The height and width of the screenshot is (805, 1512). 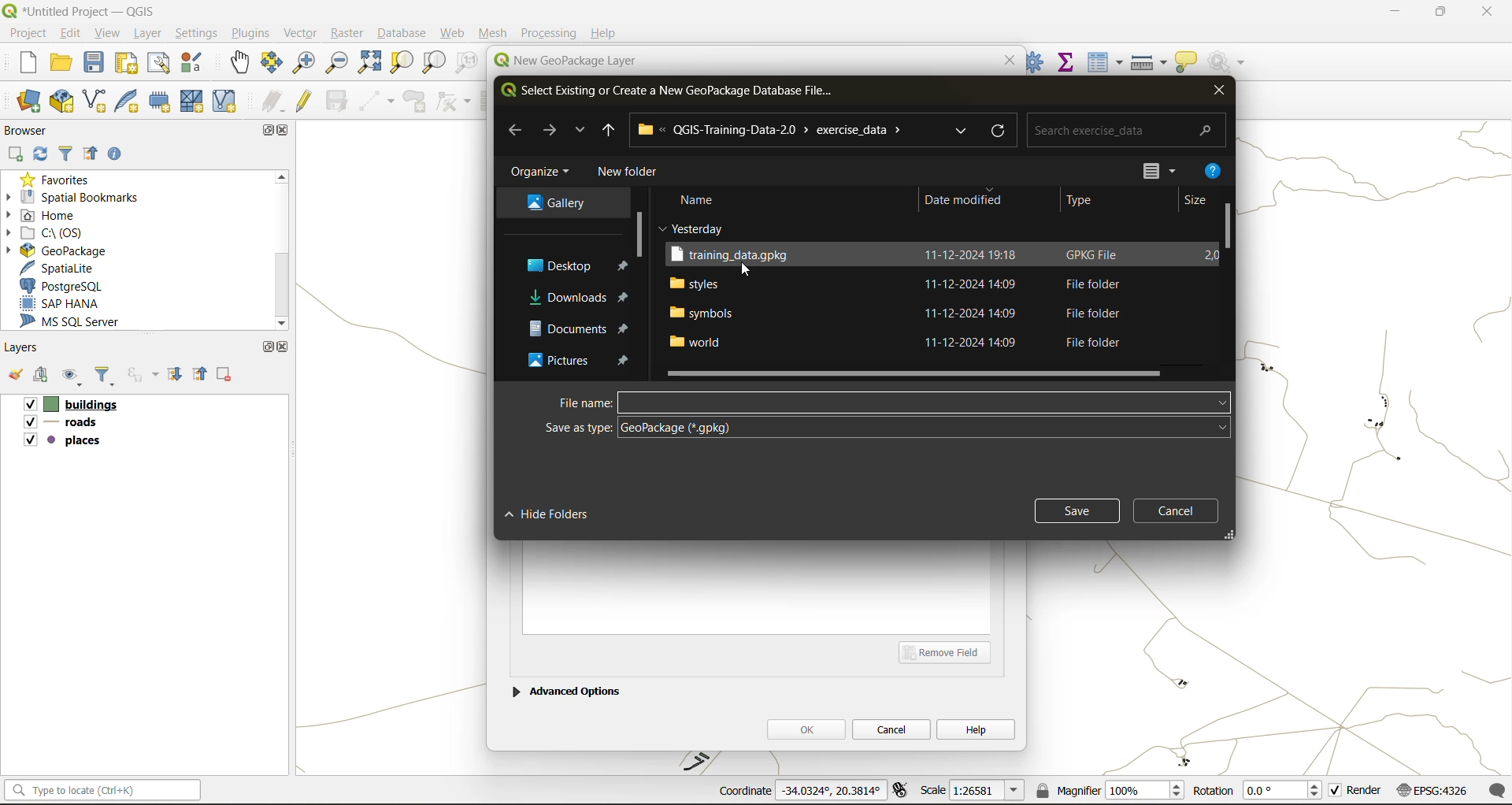 I want to click on zoom native, so click(x=467, y=65).